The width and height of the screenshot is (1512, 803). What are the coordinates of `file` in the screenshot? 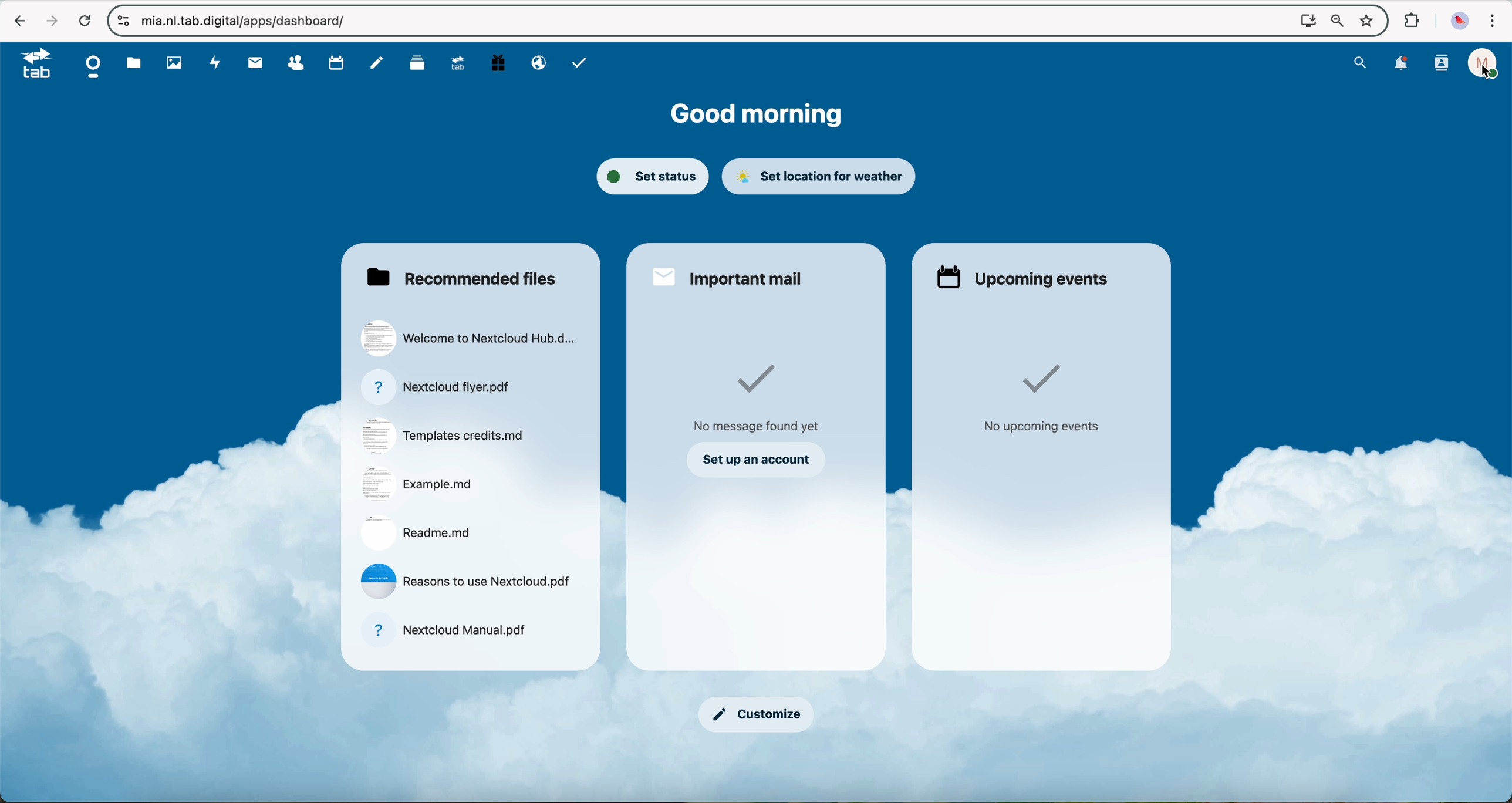 It's located at (446, 633).